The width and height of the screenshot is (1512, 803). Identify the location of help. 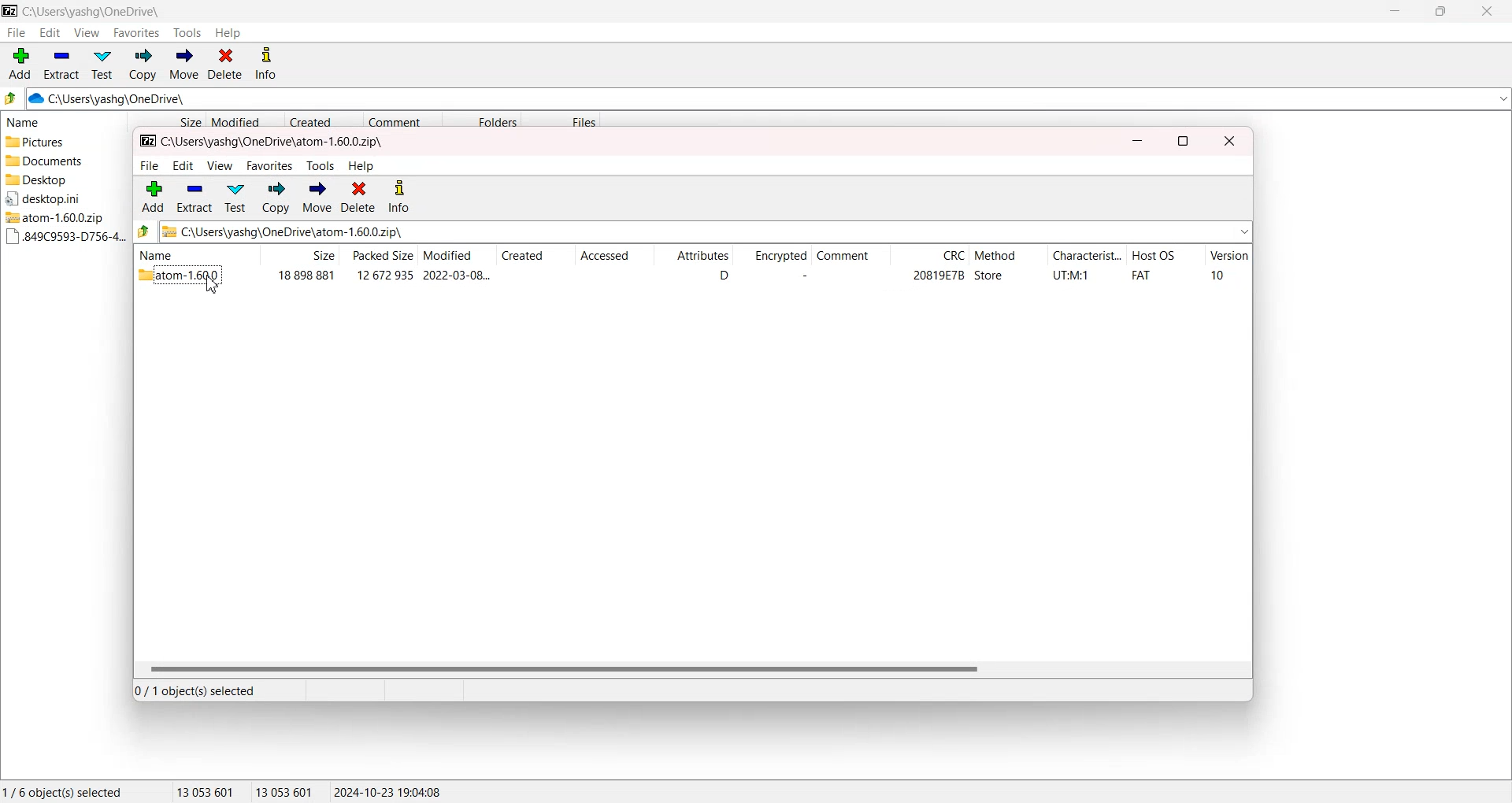
(362, 166).